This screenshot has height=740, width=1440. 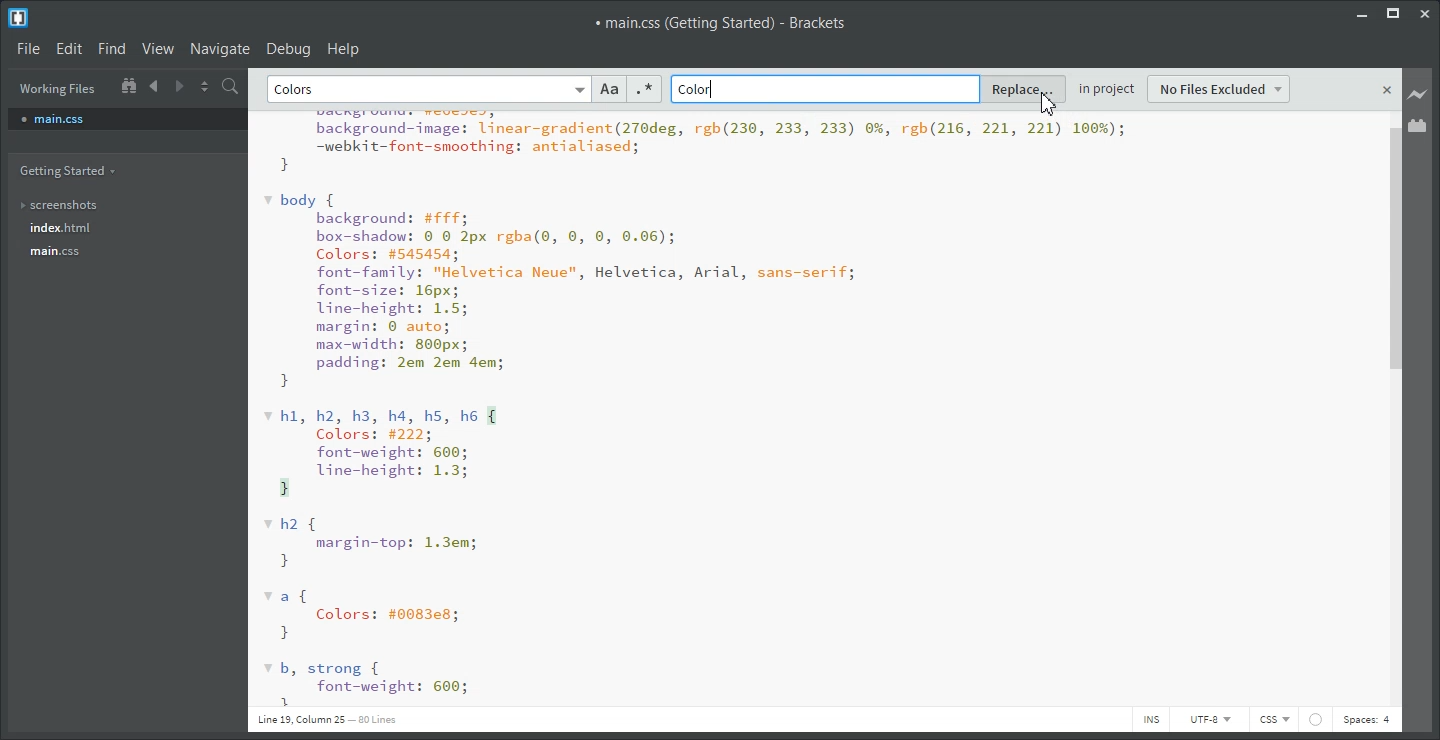 I want to click on View, so click(x=158, y=48).